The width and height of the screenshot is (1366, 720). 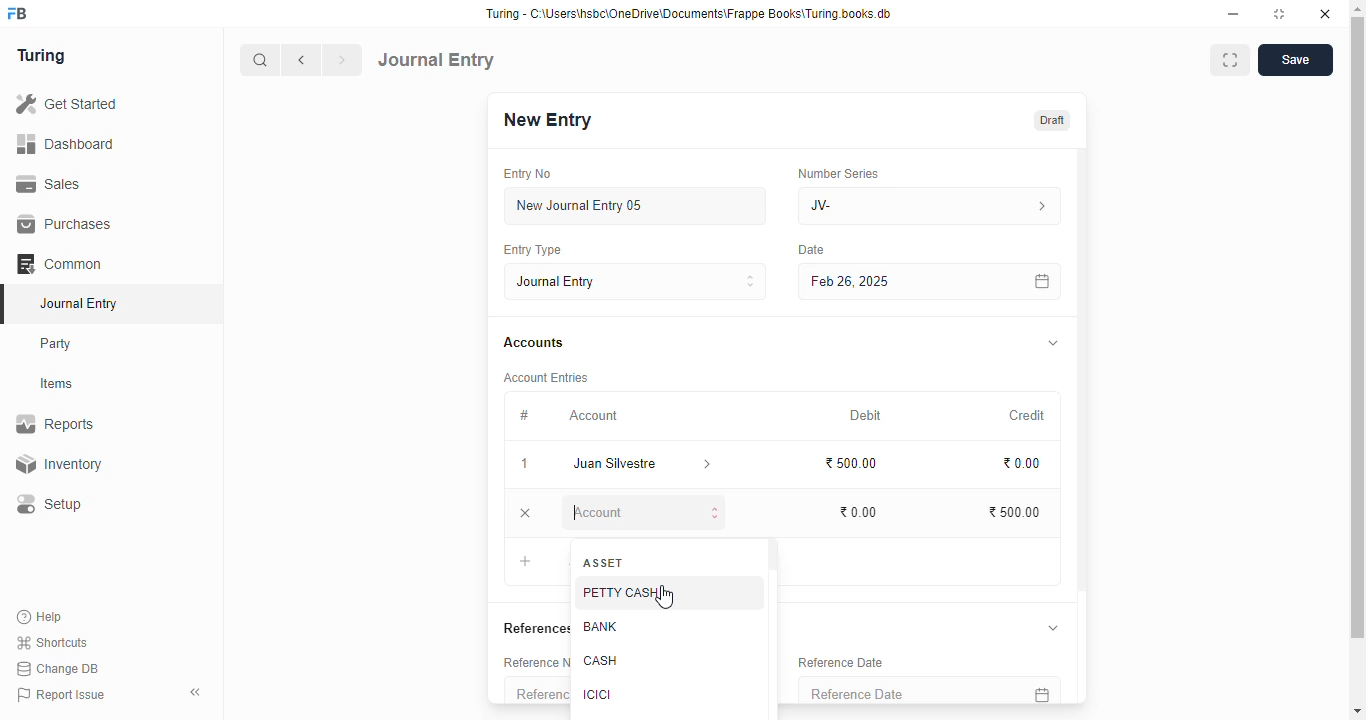 I want to click on ₹500.00, so click(x=1015, y=511).